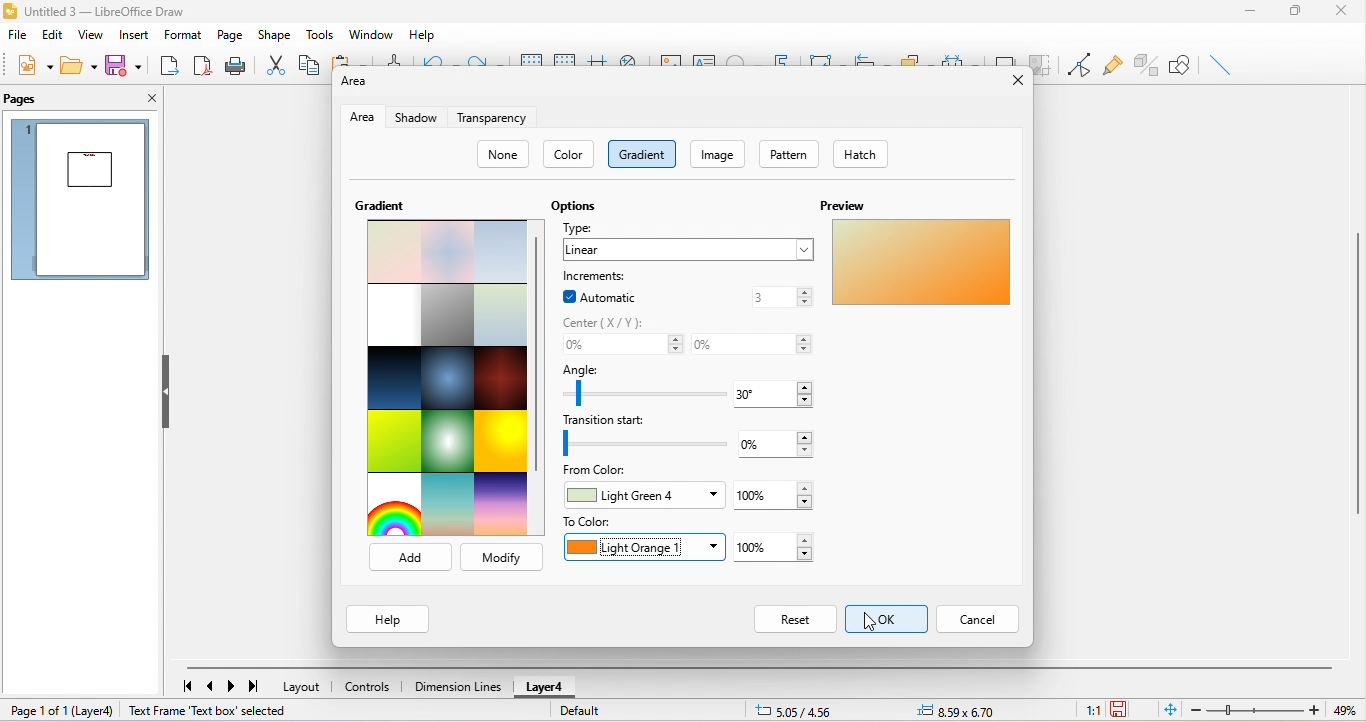  Describe the element at coordinates (234, 688) in the screenshot. I see `next page` at that location.